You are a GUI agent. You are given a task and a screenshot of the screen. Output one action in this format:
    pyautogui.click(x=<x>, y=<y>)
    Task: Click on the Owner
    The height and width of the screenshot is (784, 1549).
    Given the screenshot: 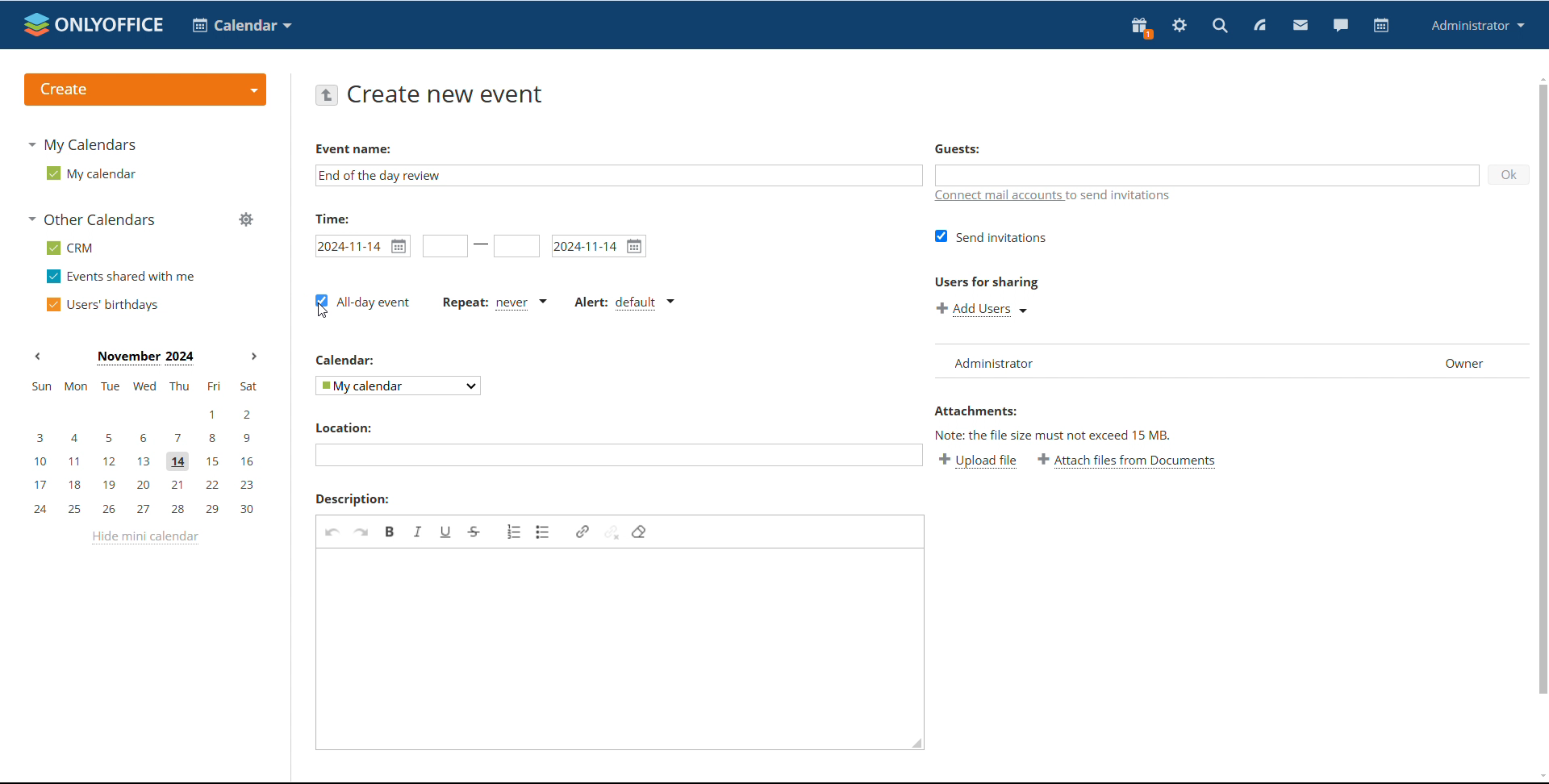 What is the action you would take?
    pyautogui.click(x=1469, y=363)
    